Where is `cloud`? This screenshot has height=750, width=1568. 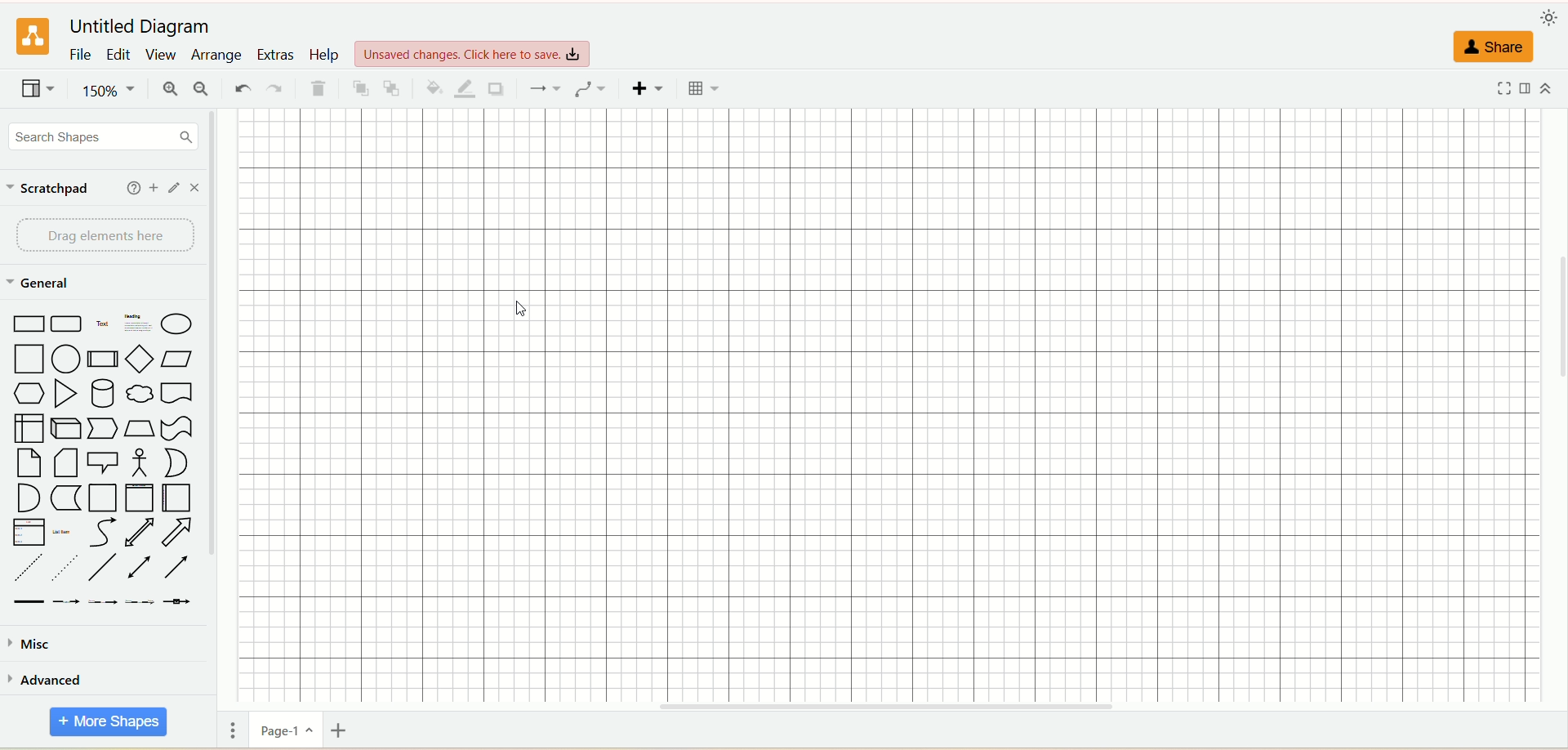 cloud is located at coordinates (140, 392).